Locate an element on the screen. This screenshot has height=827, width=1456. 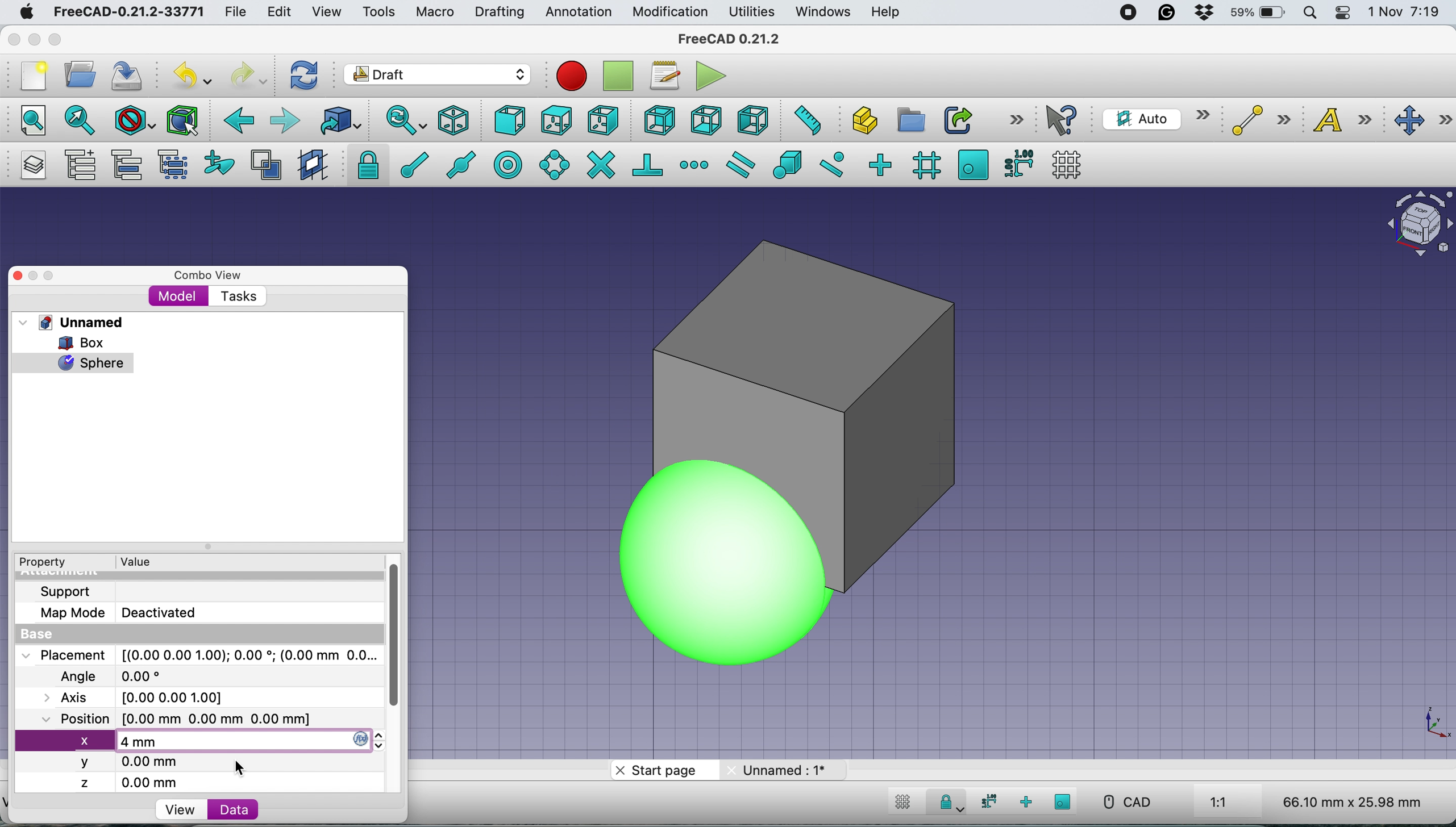
forward is located at coordinates (284, 120).